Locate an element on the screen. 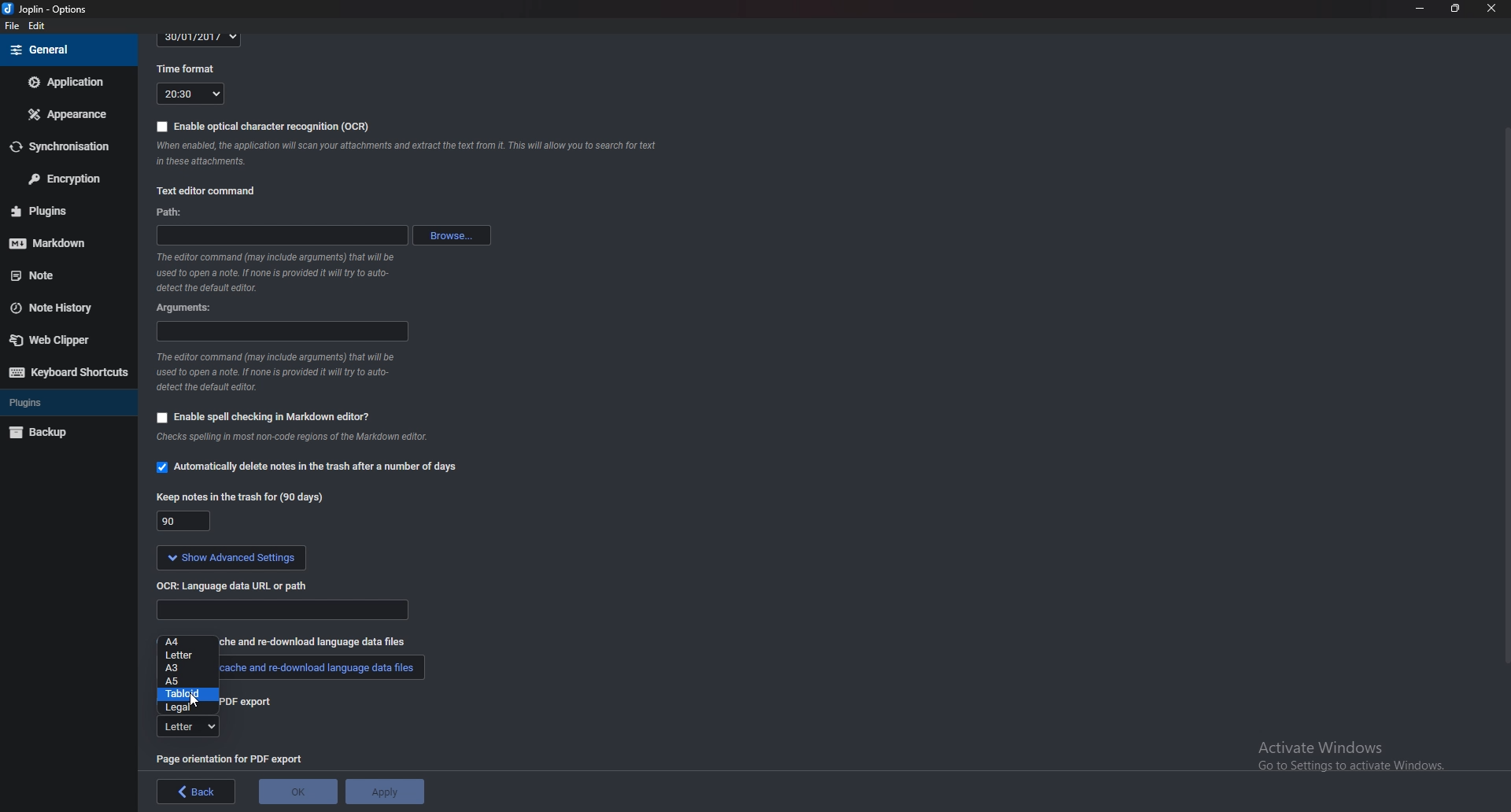  ok is located at coordinates (300, 792).